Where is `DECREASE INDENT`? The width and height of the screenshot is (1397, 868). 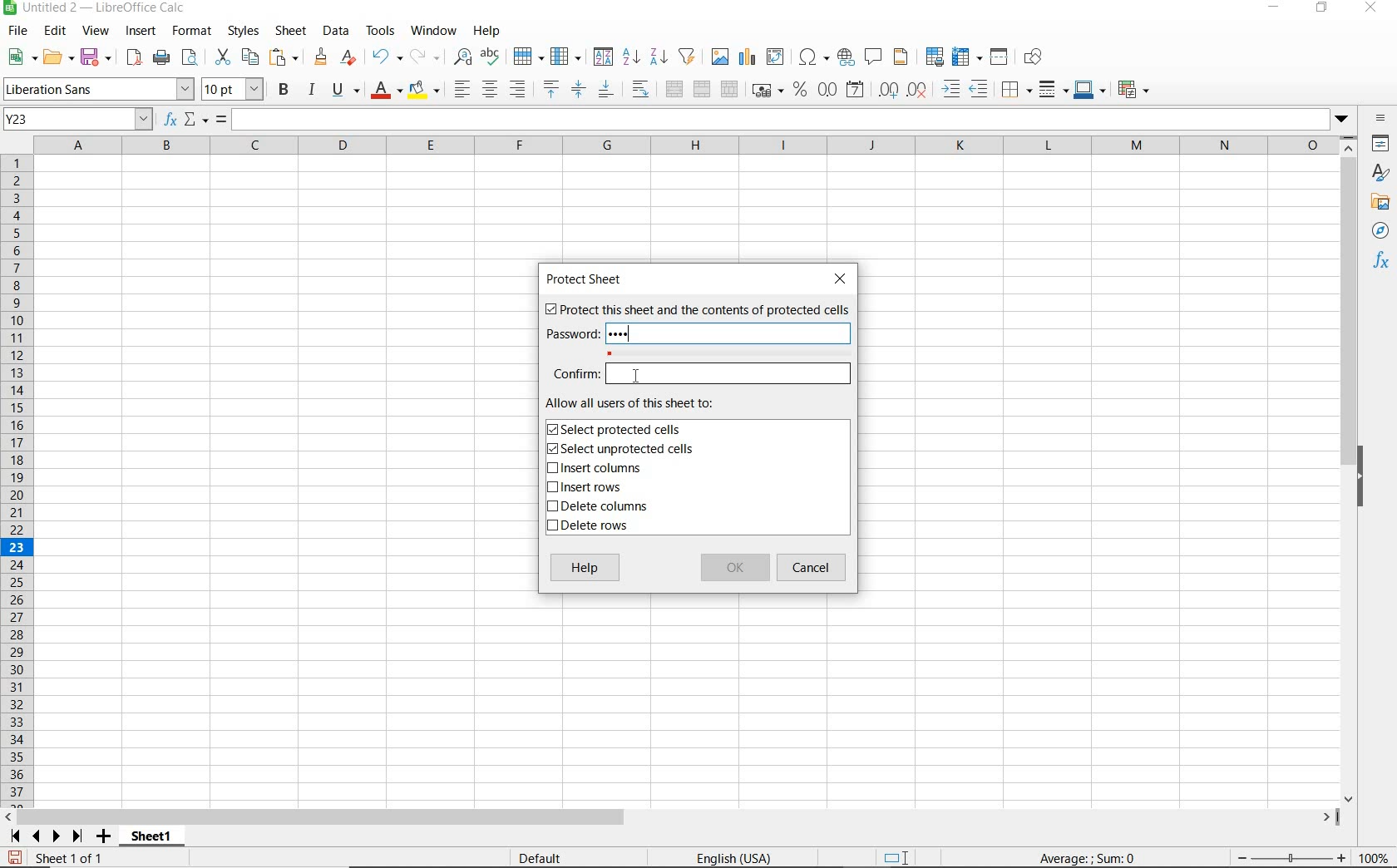 DECREASE INDENT is located at coordinates (980, 91).